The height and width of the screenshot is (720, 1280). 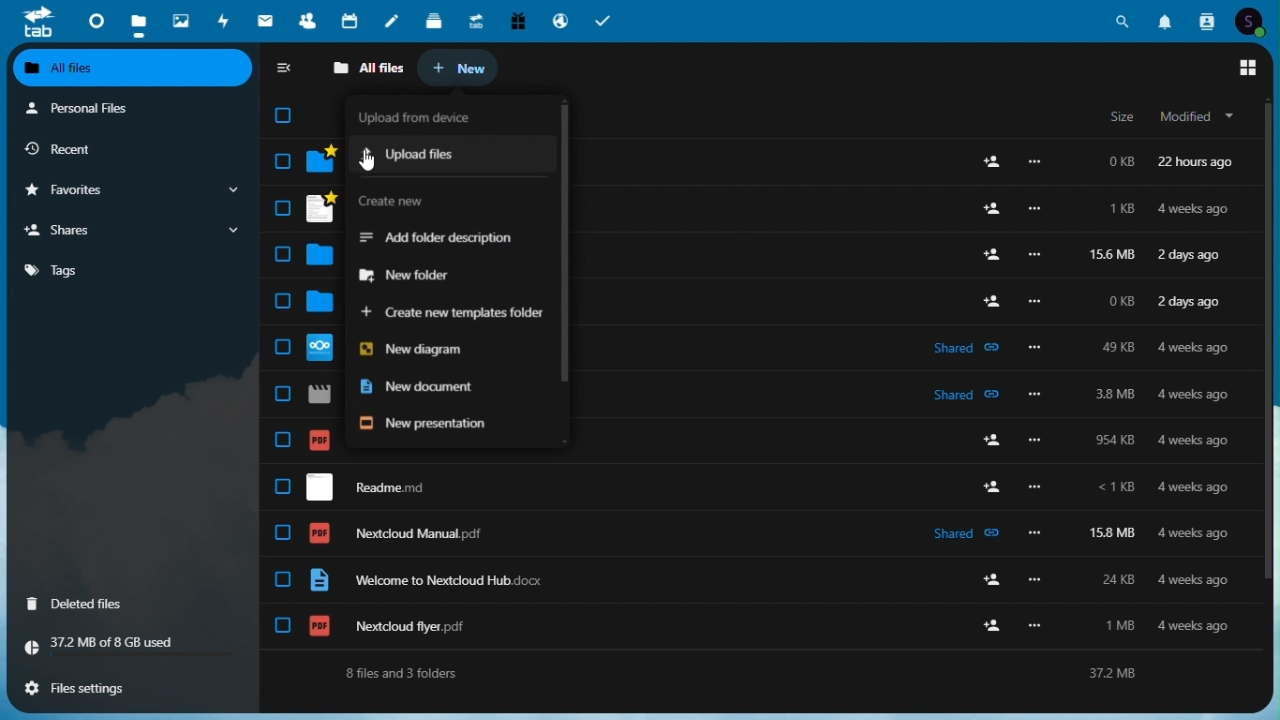 What do you see at coordinates (996, 580) in the screenshot?
I see `add user` at bounding box center [996, 580].